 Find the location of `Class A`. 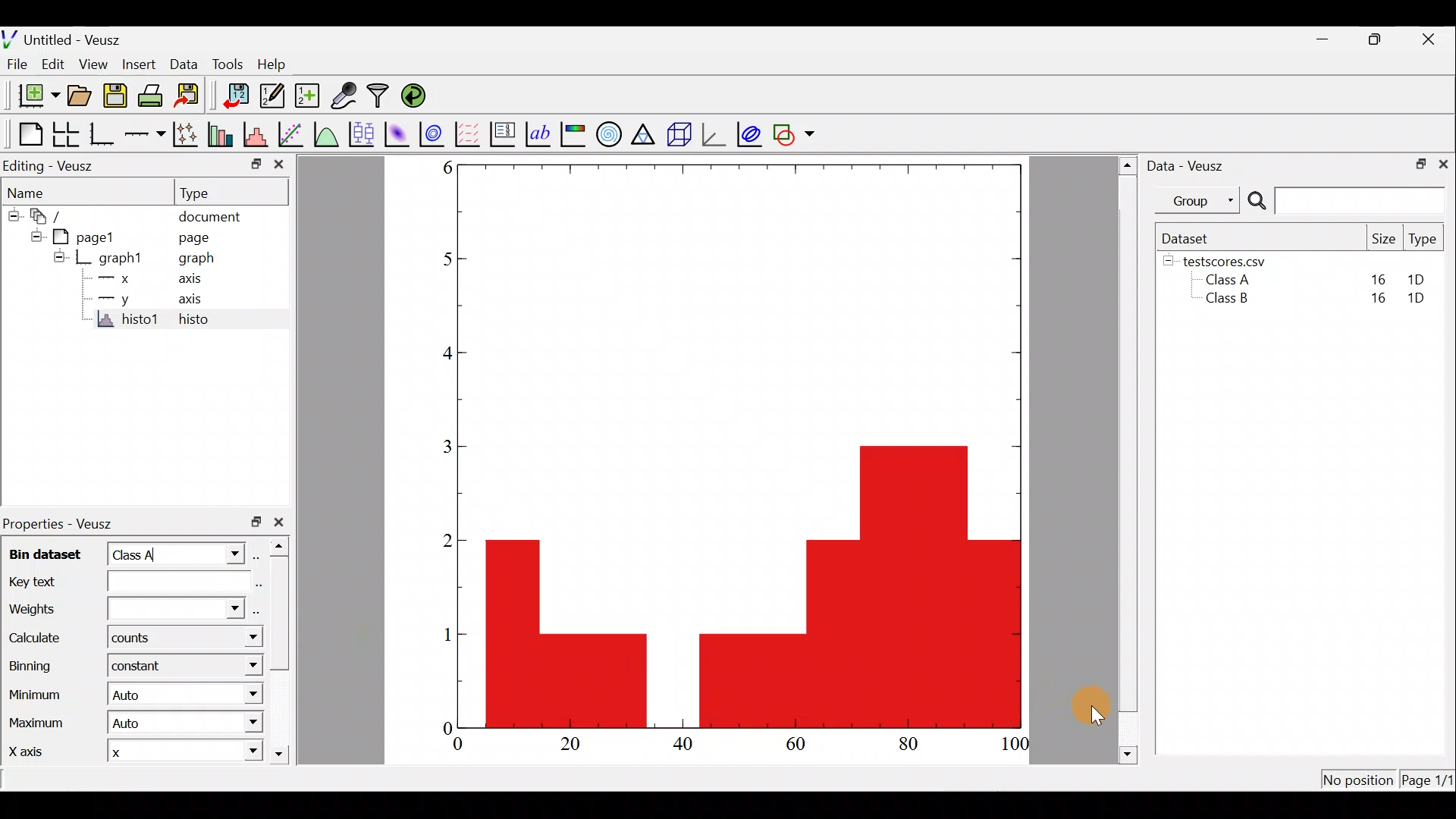

Class A is located at coordinates (138, 557).